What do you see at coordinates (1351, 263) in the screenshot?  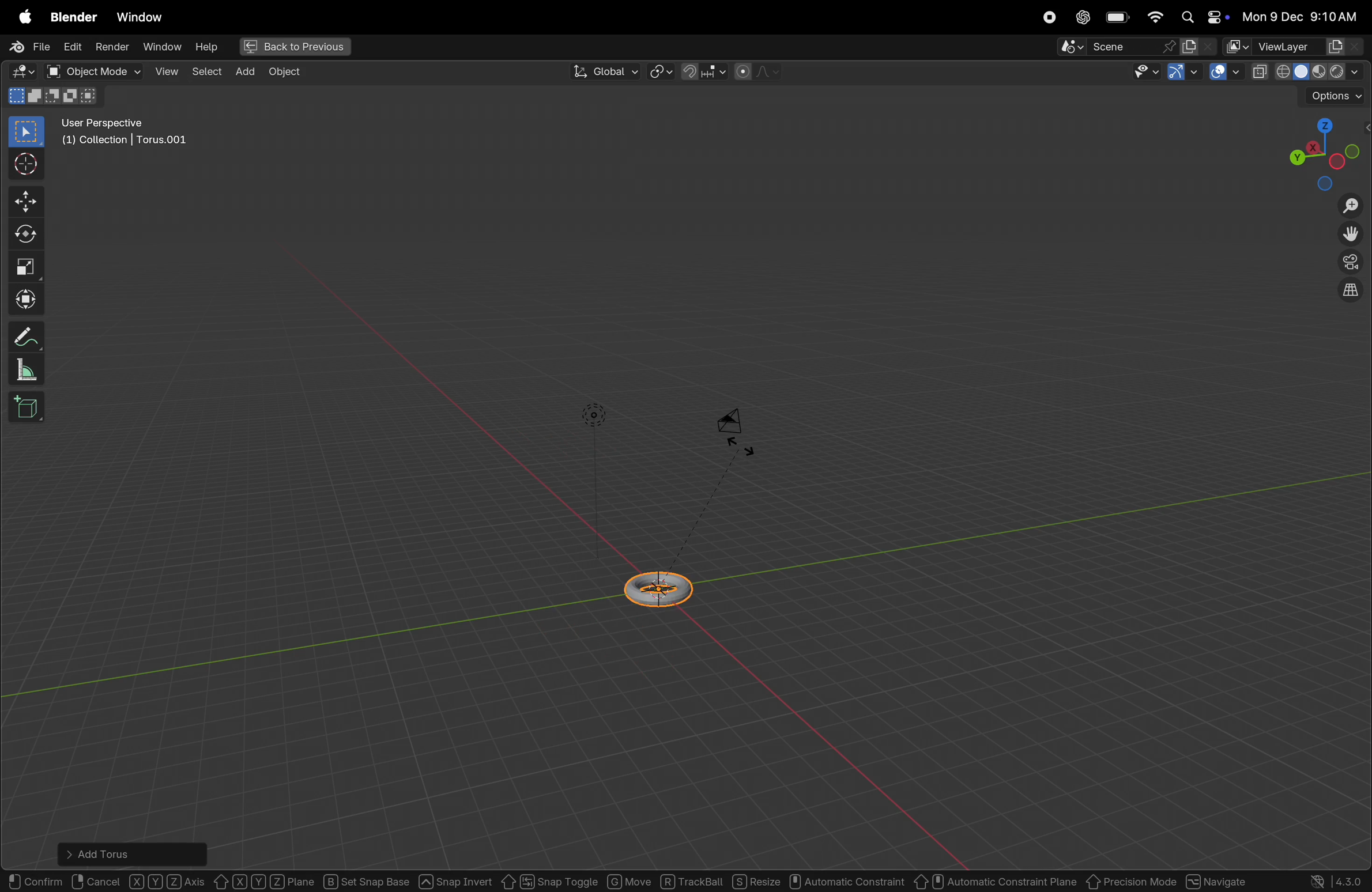 I see `view point camera` at bounding box center [1351, 263].